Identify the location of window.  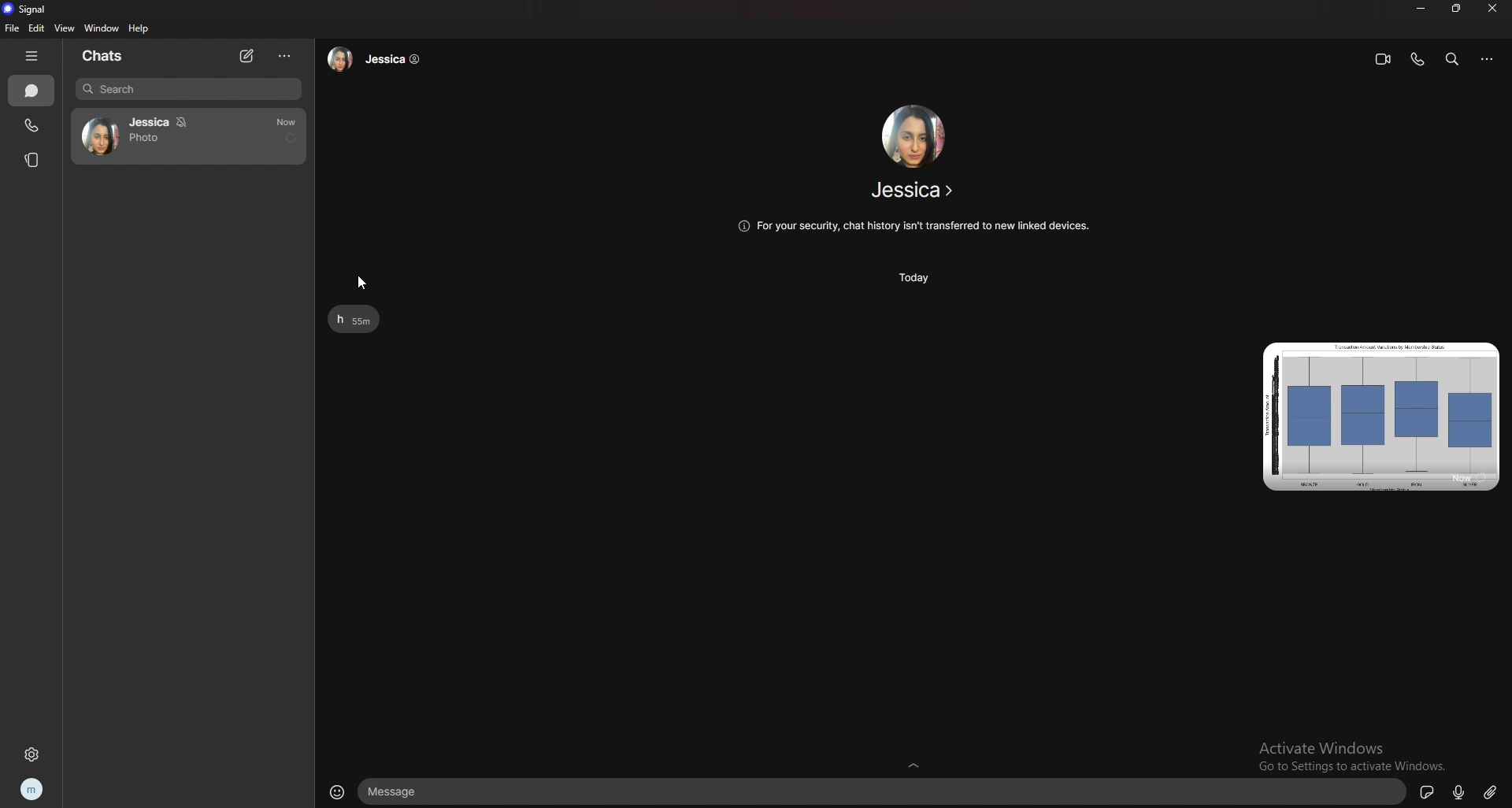
(102, 28).